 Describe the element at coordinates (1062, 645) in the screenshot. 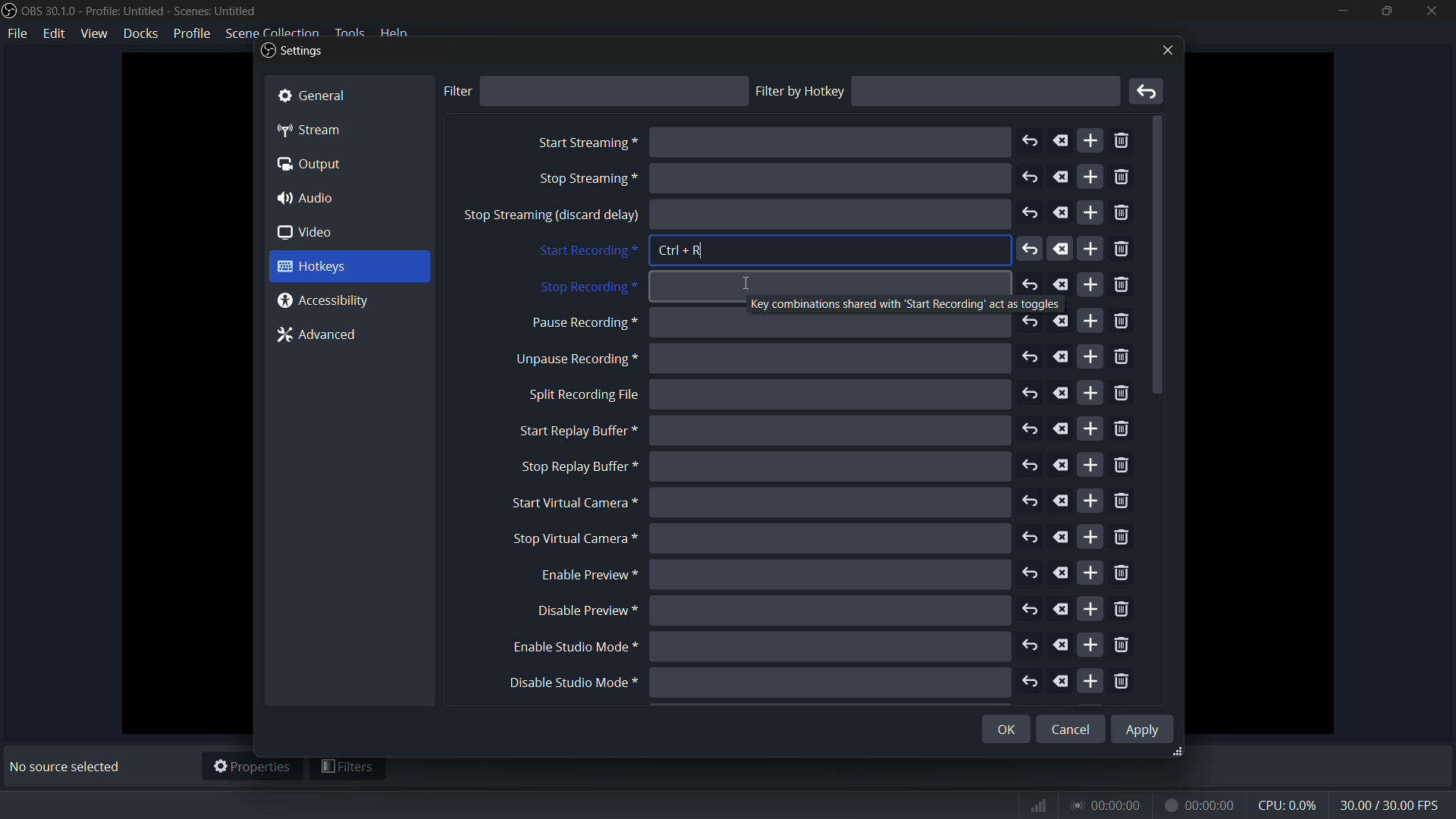

I see `delete` at that location.